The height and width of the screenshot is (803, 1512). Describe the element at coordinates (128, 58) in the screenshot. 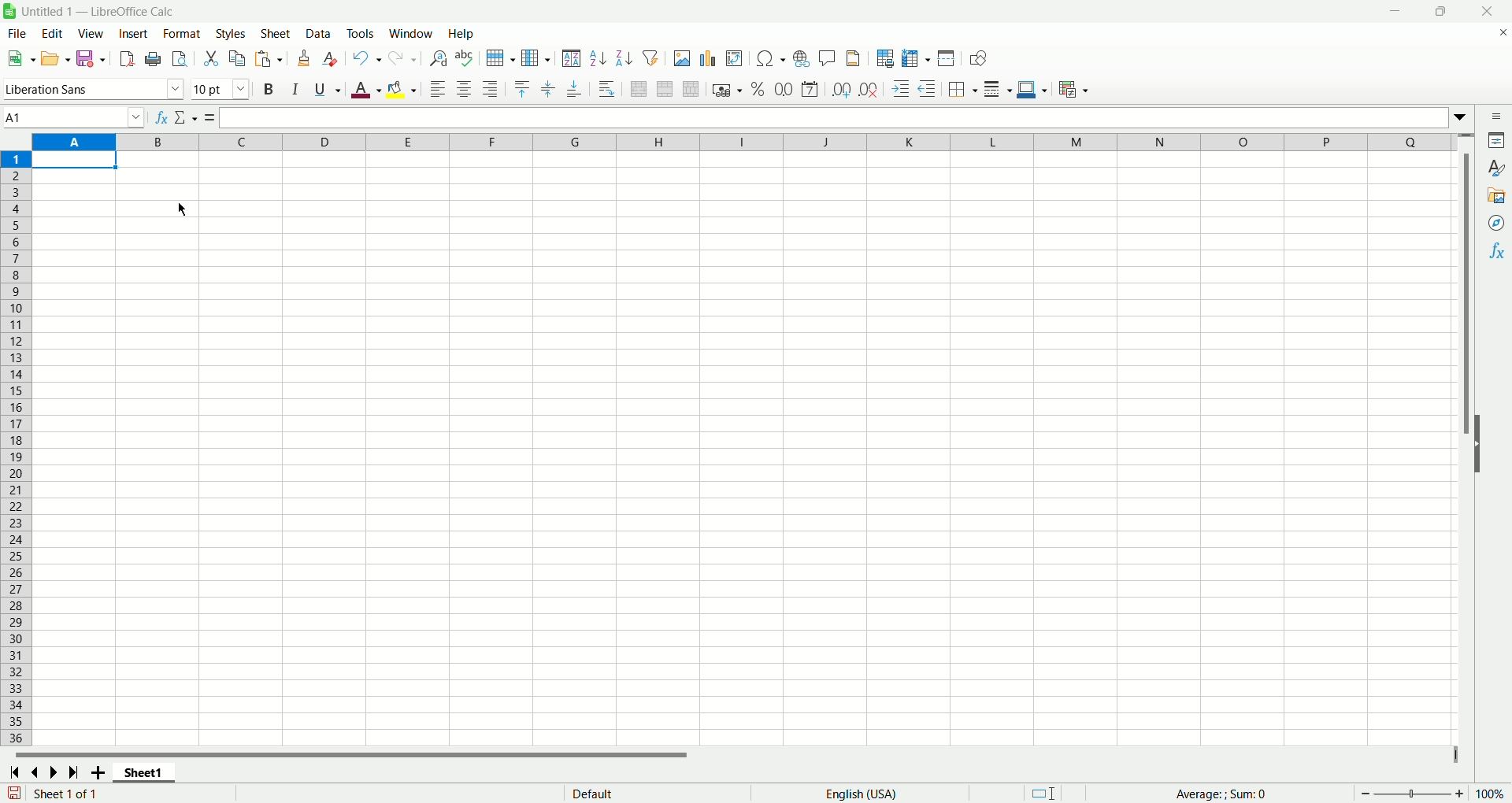

I see `export as PDF` at that location.